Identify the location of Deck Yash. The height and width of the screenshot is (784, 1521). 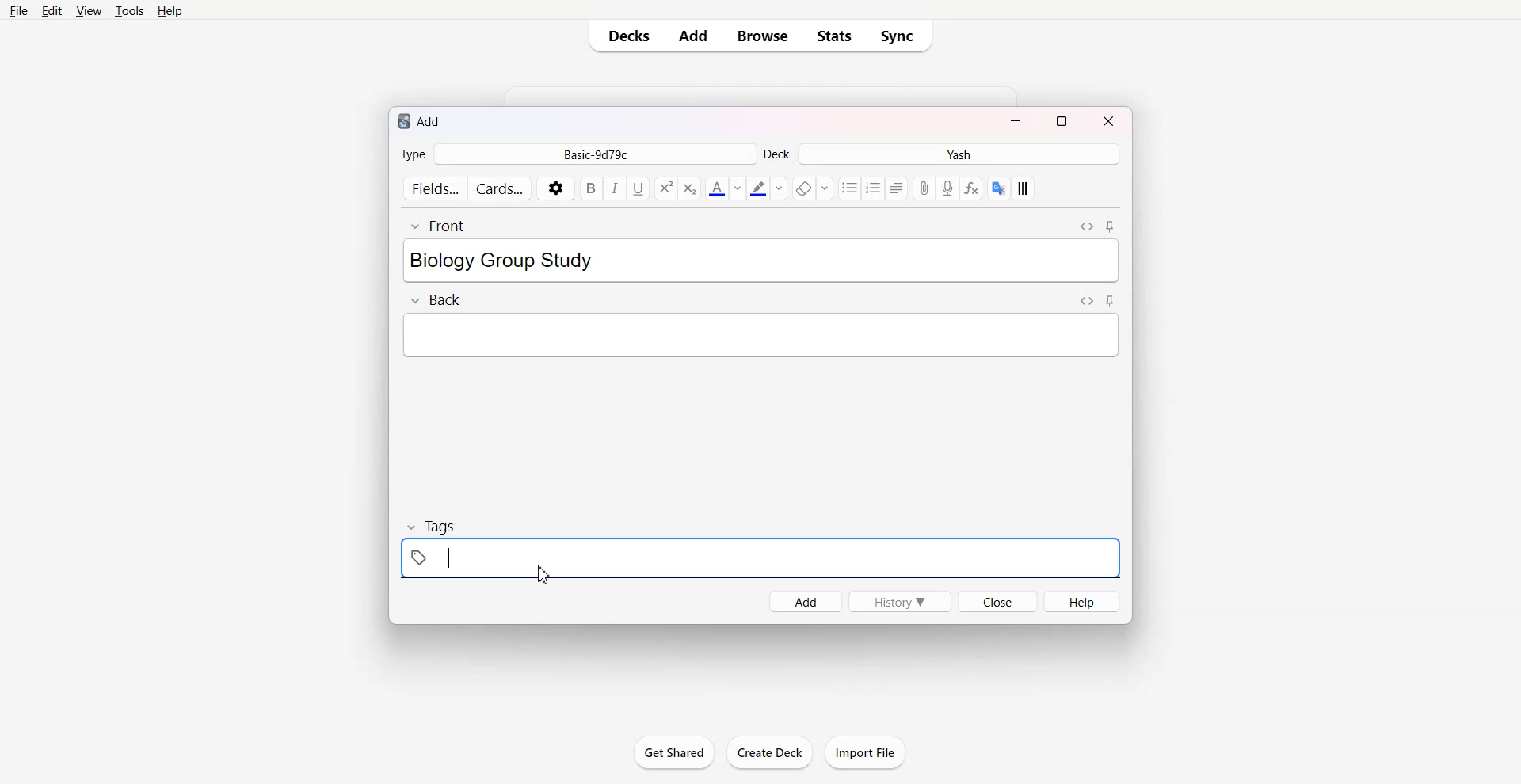
(943, 154).